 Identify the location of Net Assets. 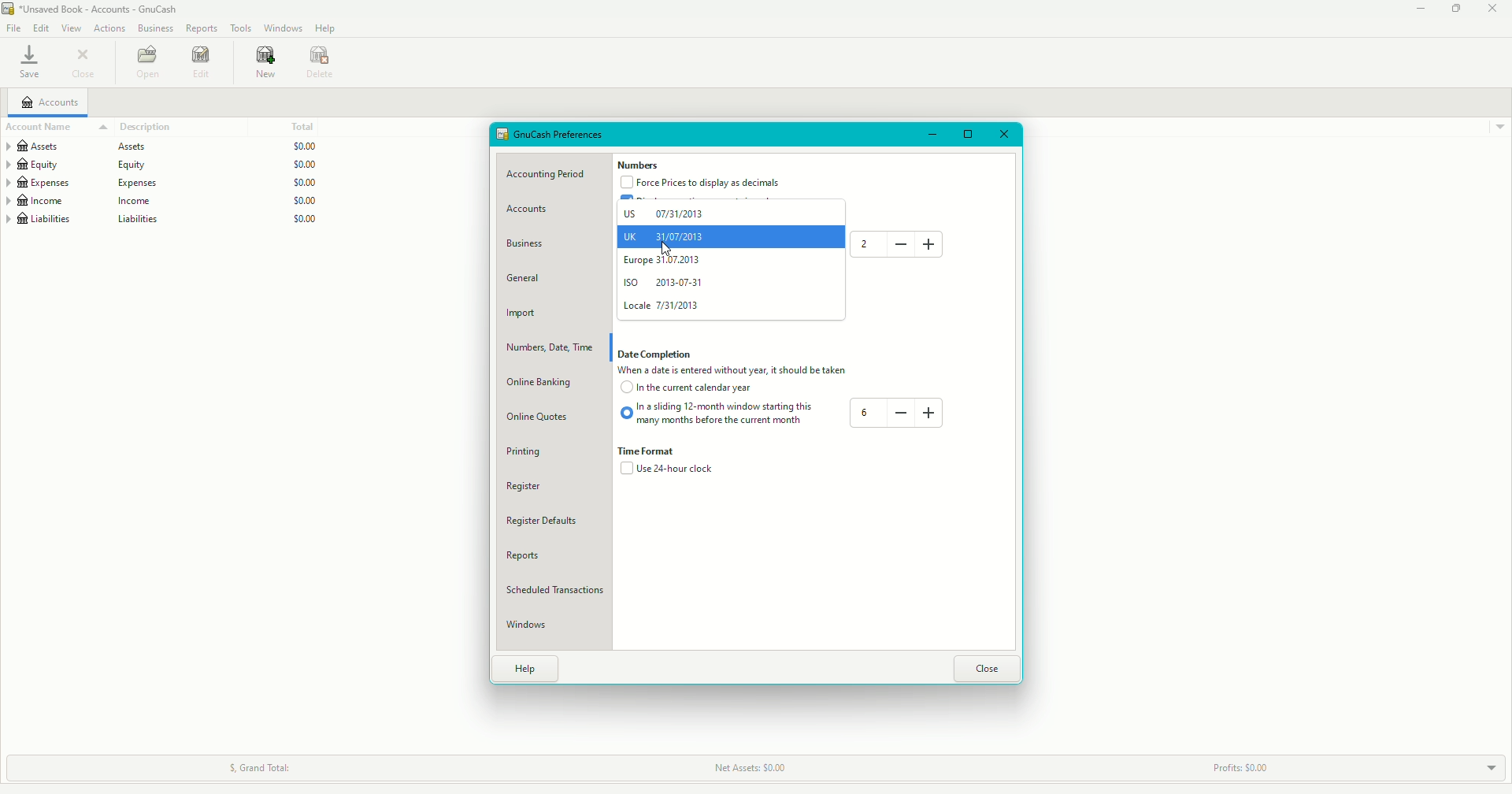
(752, 767).